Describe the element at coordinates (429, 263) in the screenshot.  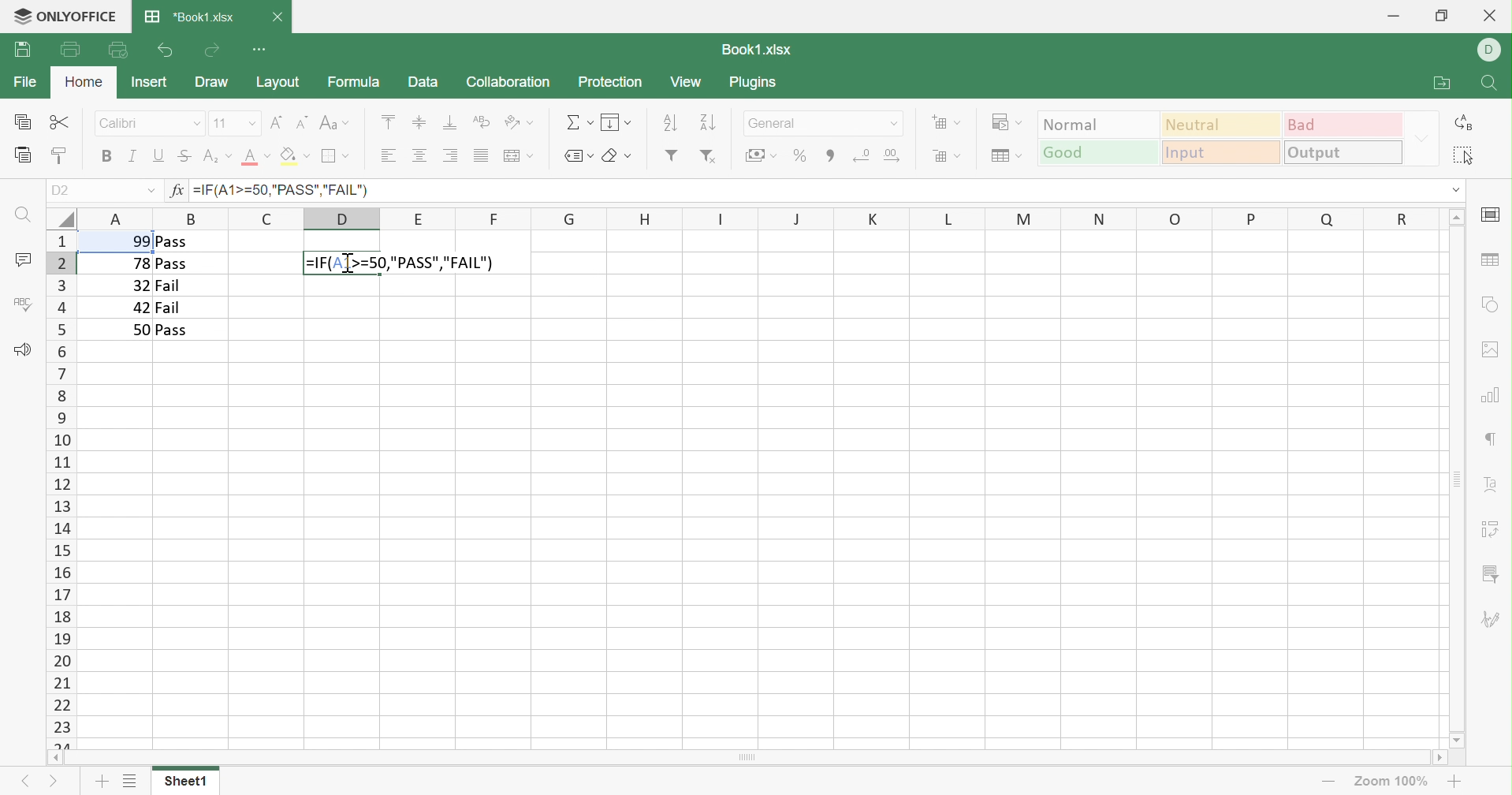
I see `=IF(A1>=50,"Pass","Fail")` at that location.